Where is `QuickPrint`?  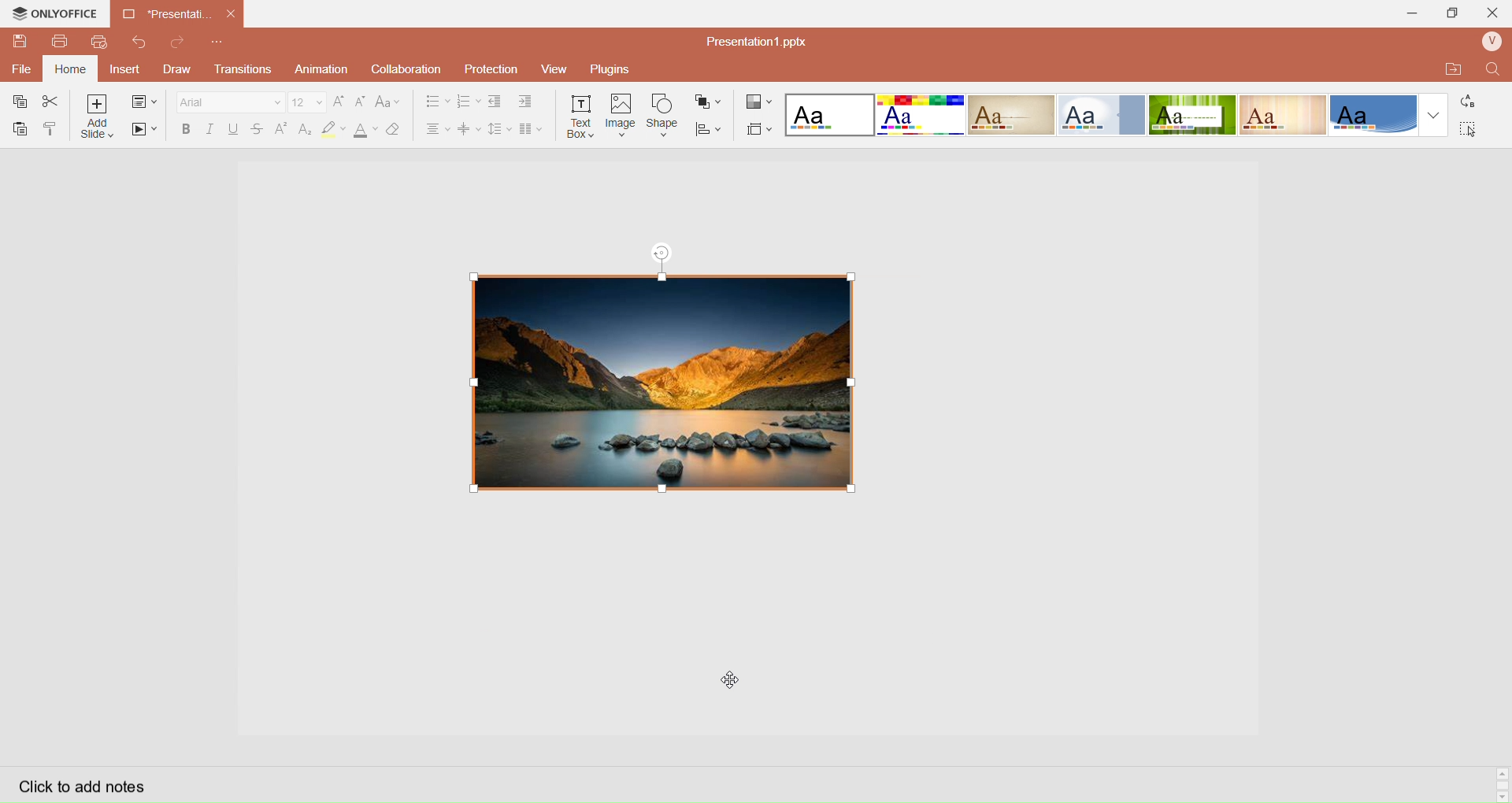 QuickPrint is located at coordinates (100, 43).